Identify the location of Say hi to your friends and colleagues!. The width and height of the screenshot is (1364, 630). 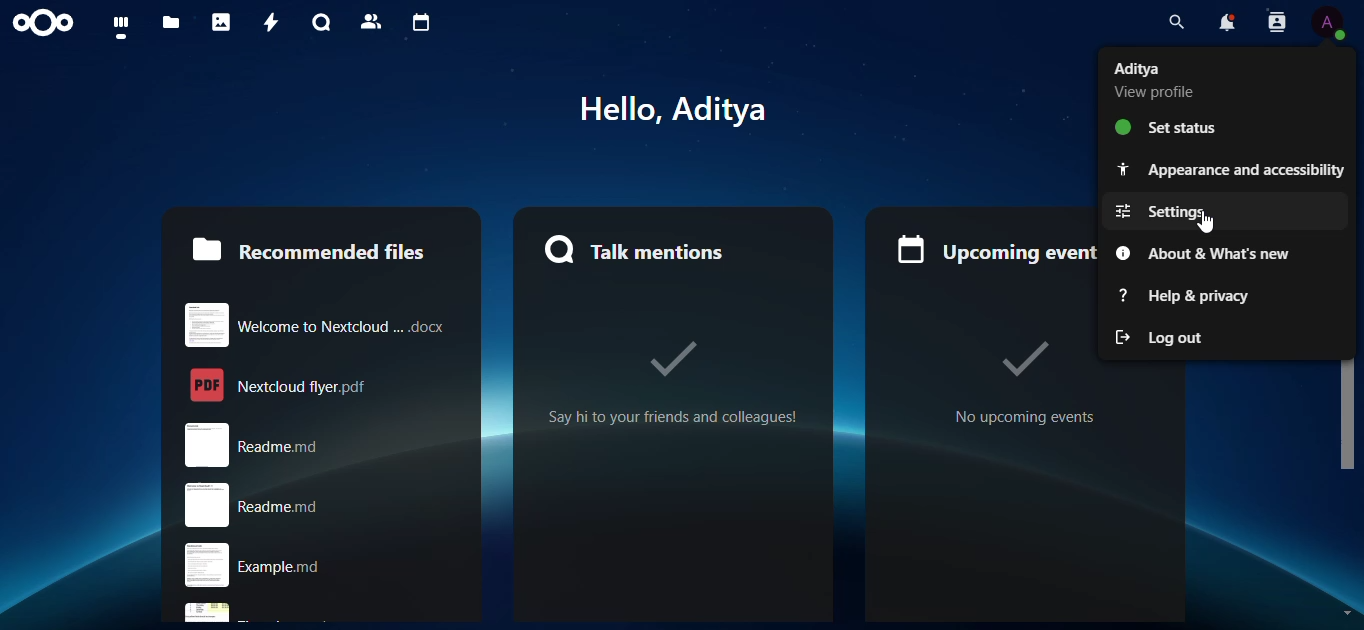
(672, 384).